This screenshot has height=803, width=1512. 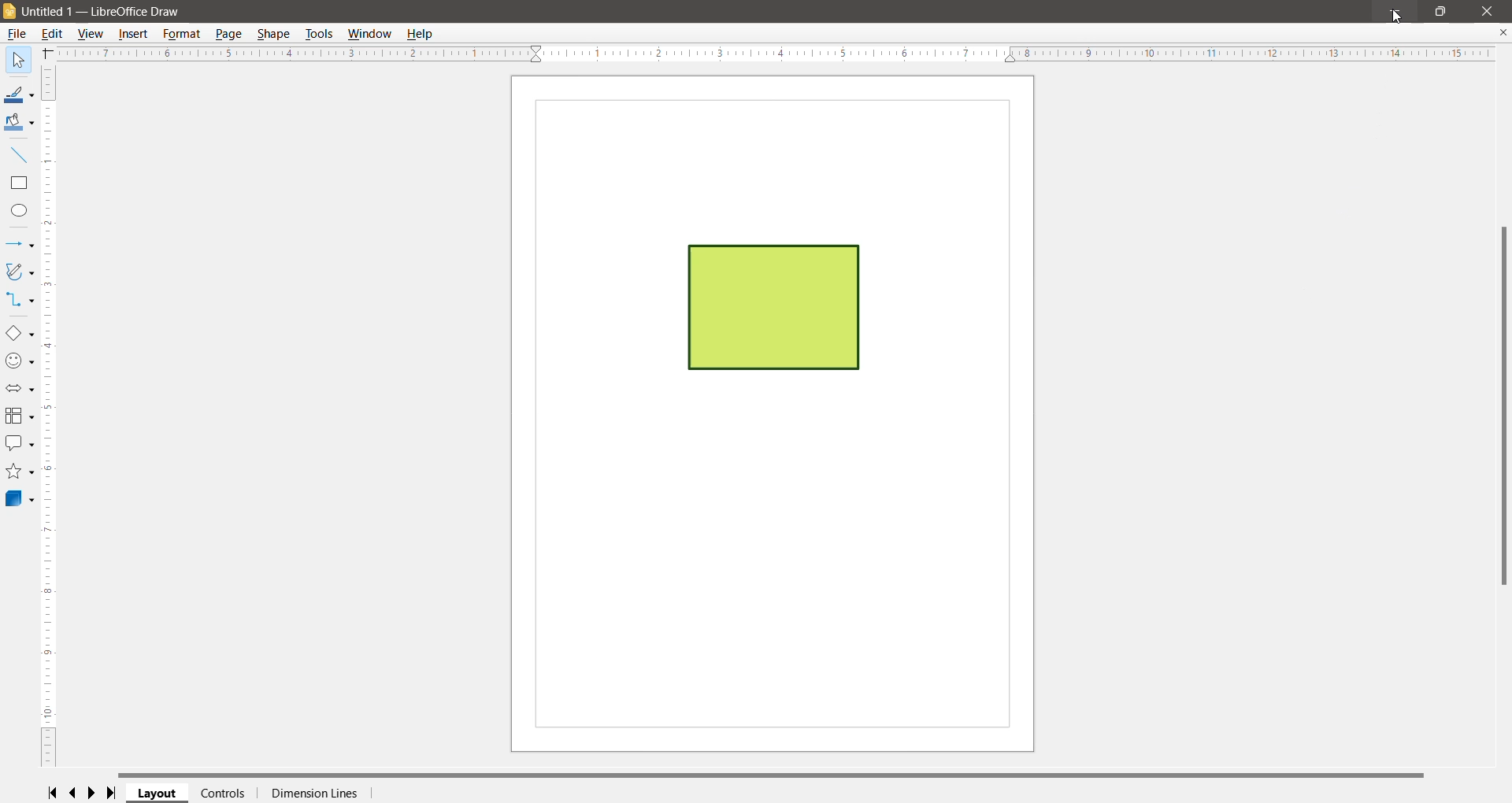 I want to click on Close Document, so click(x=1503, y=33).